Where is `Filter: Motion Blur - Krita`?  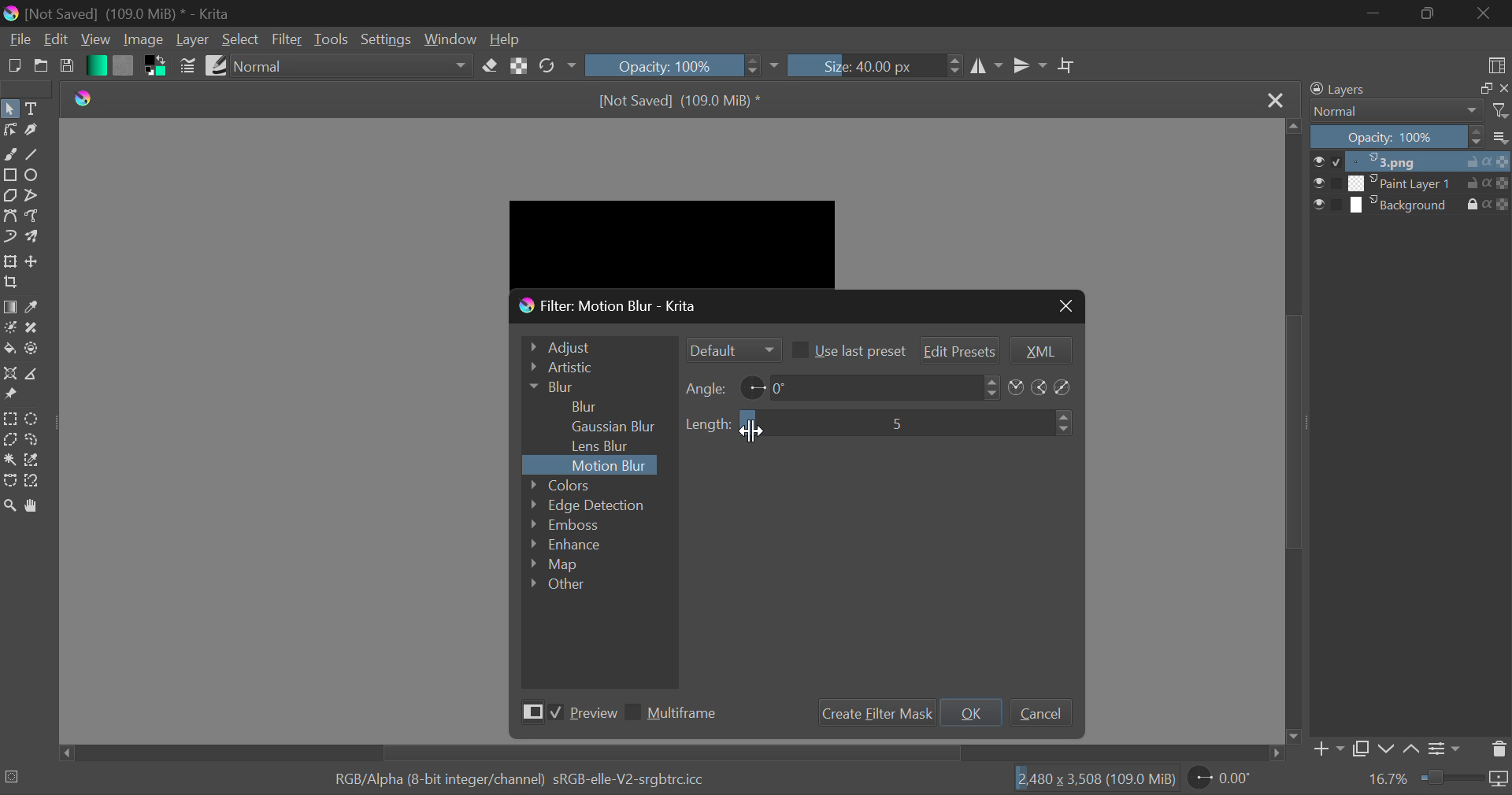
Filter: Motion Blur - Krita is located at coordinates (610, 307).